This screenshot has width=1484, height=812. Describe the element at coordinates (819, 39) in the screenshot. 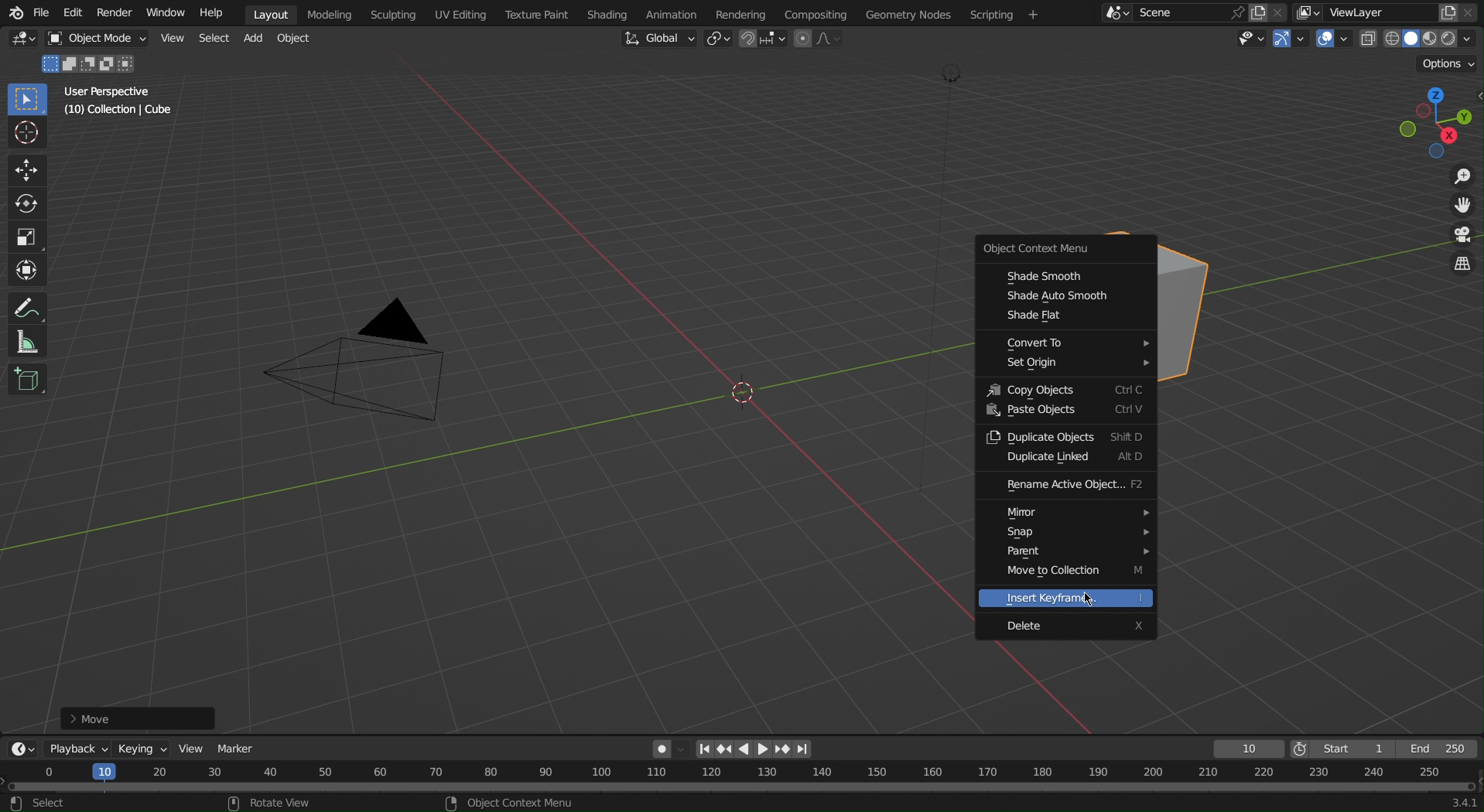

I see `Proportional Editing` at that location.